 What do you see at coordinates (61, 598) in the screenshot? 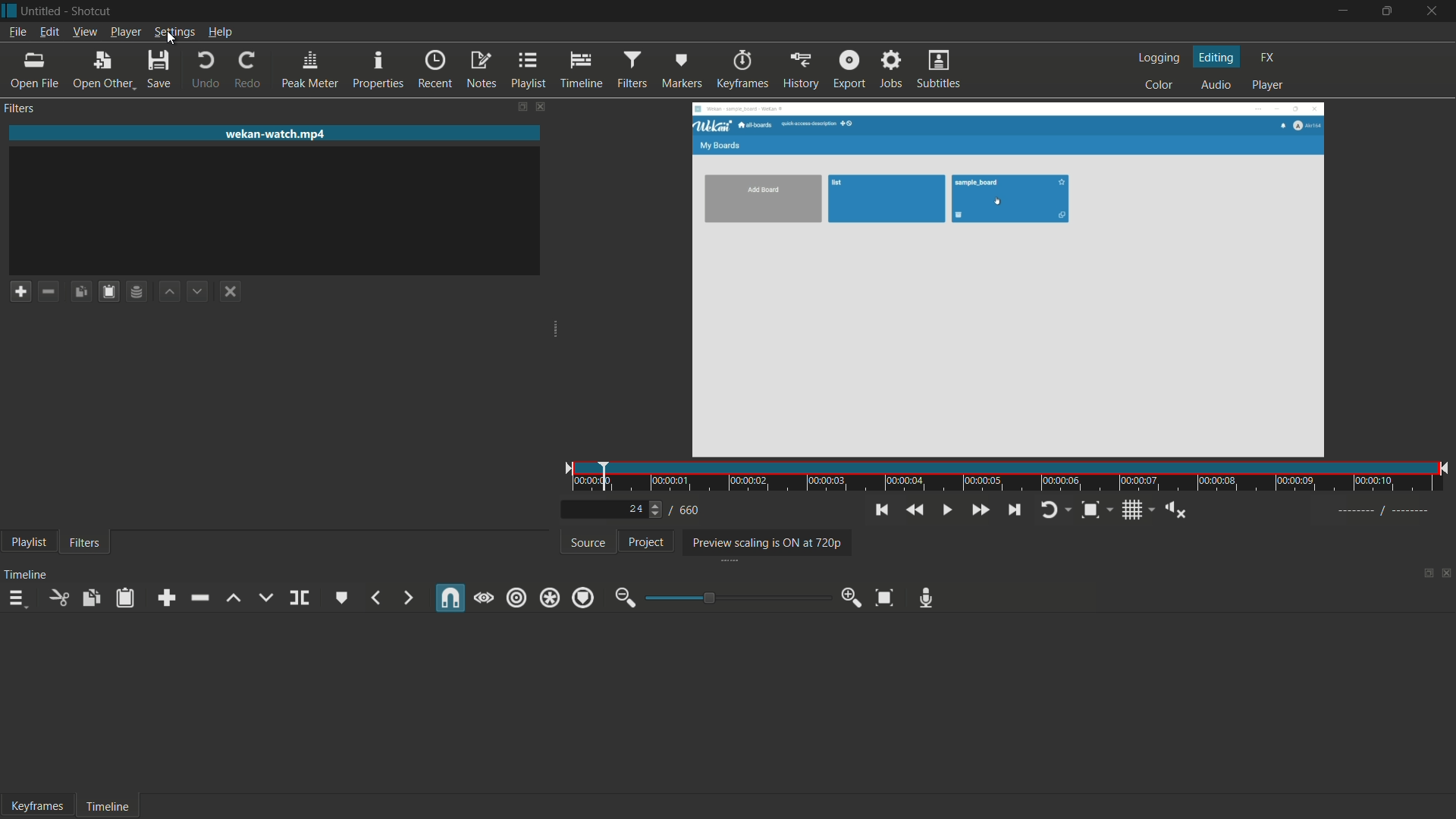
I see `cut` at bounding box center [61, 598].